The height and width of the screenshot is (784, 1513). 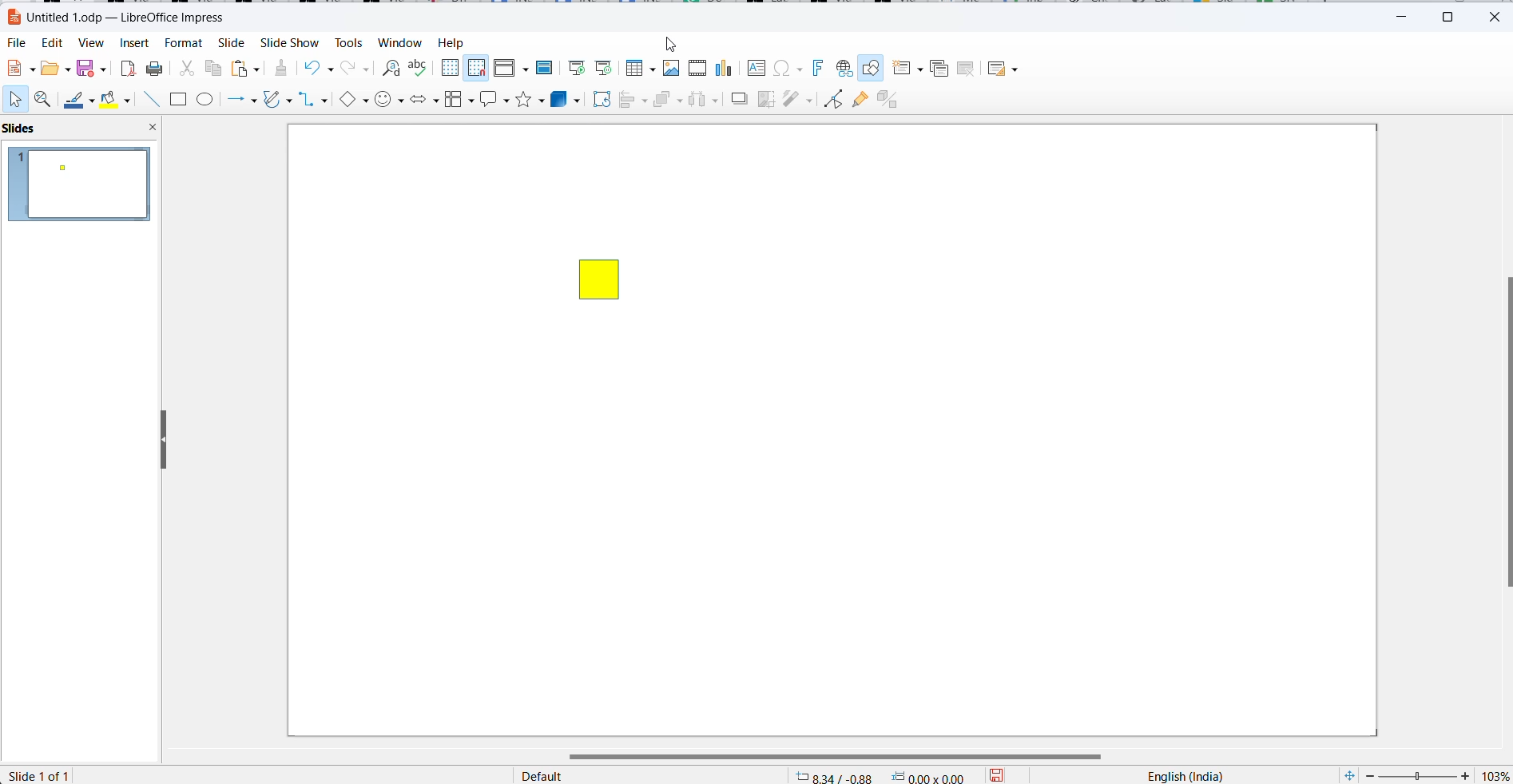 What do you see at coordinates (548, 67) in the screenshot?
I see `Master slide` at bounding box center [548, 67].